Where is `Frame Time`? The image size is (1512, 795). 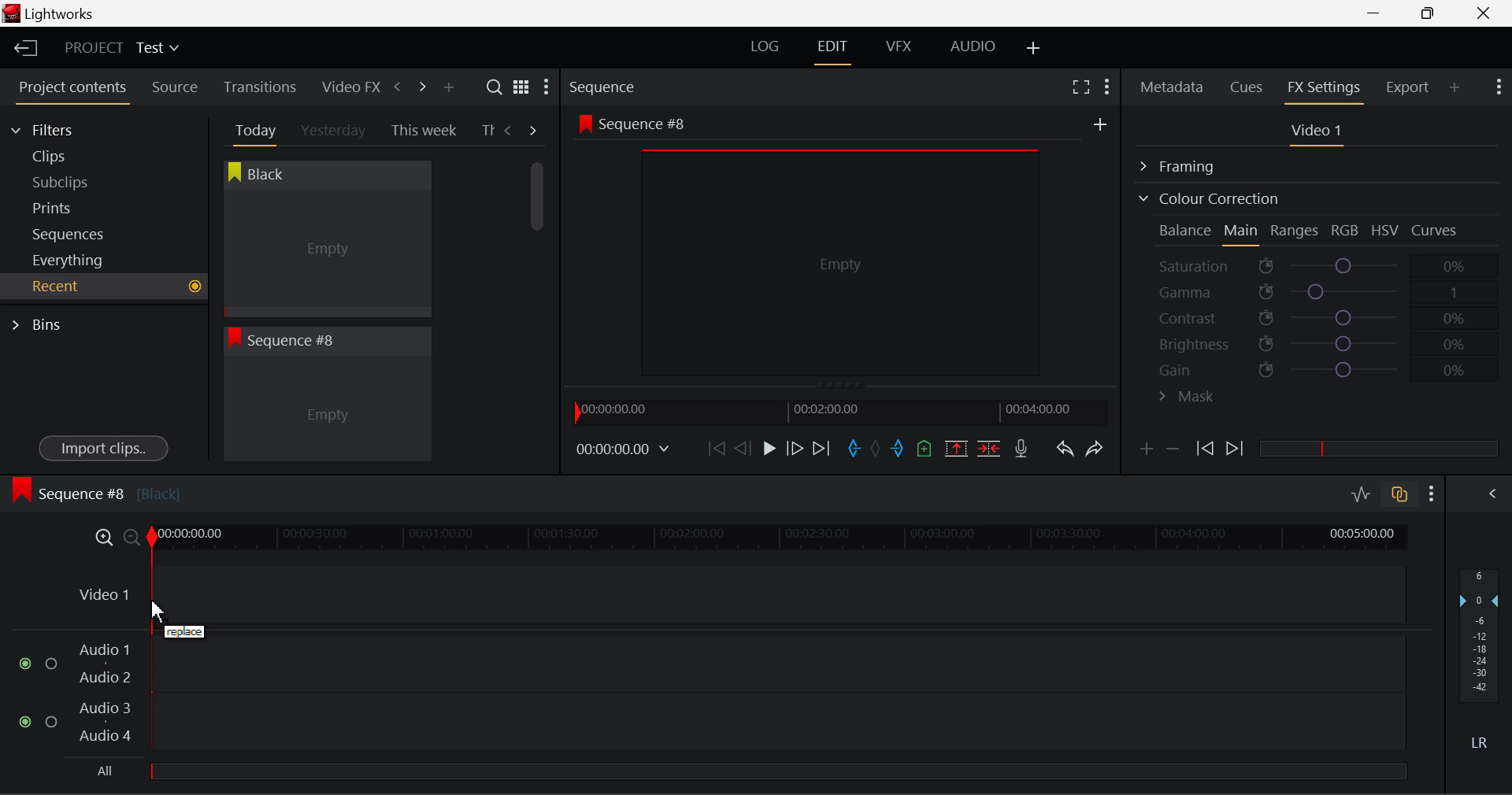
Frame Time is located at coordinates (624, 450).